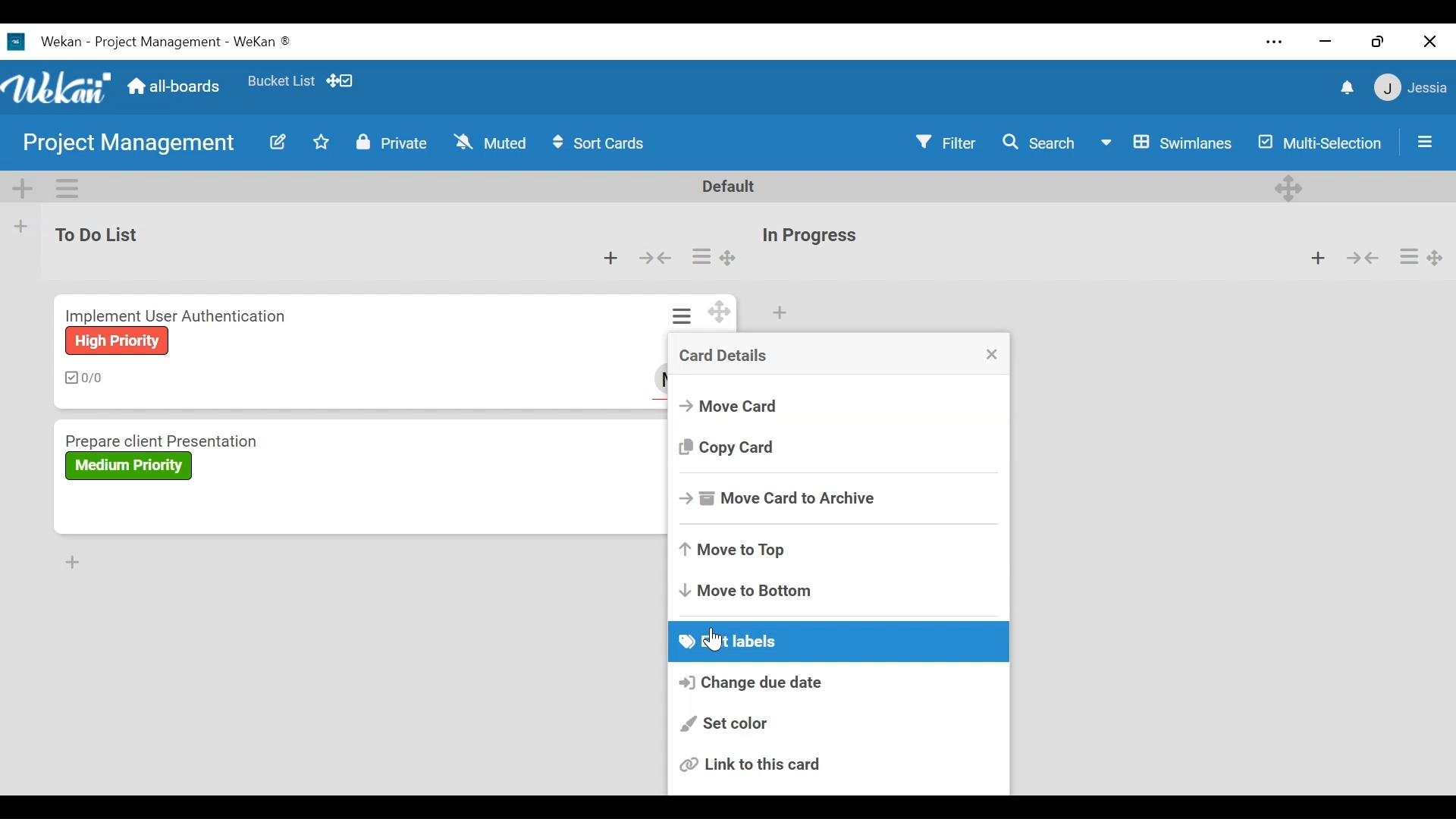 The height and width of the screenshot is (819, 1456). What do you see at coordinates (838, 641) in the screenshot?
I see `Add labels` at bounding box center [838, 641].